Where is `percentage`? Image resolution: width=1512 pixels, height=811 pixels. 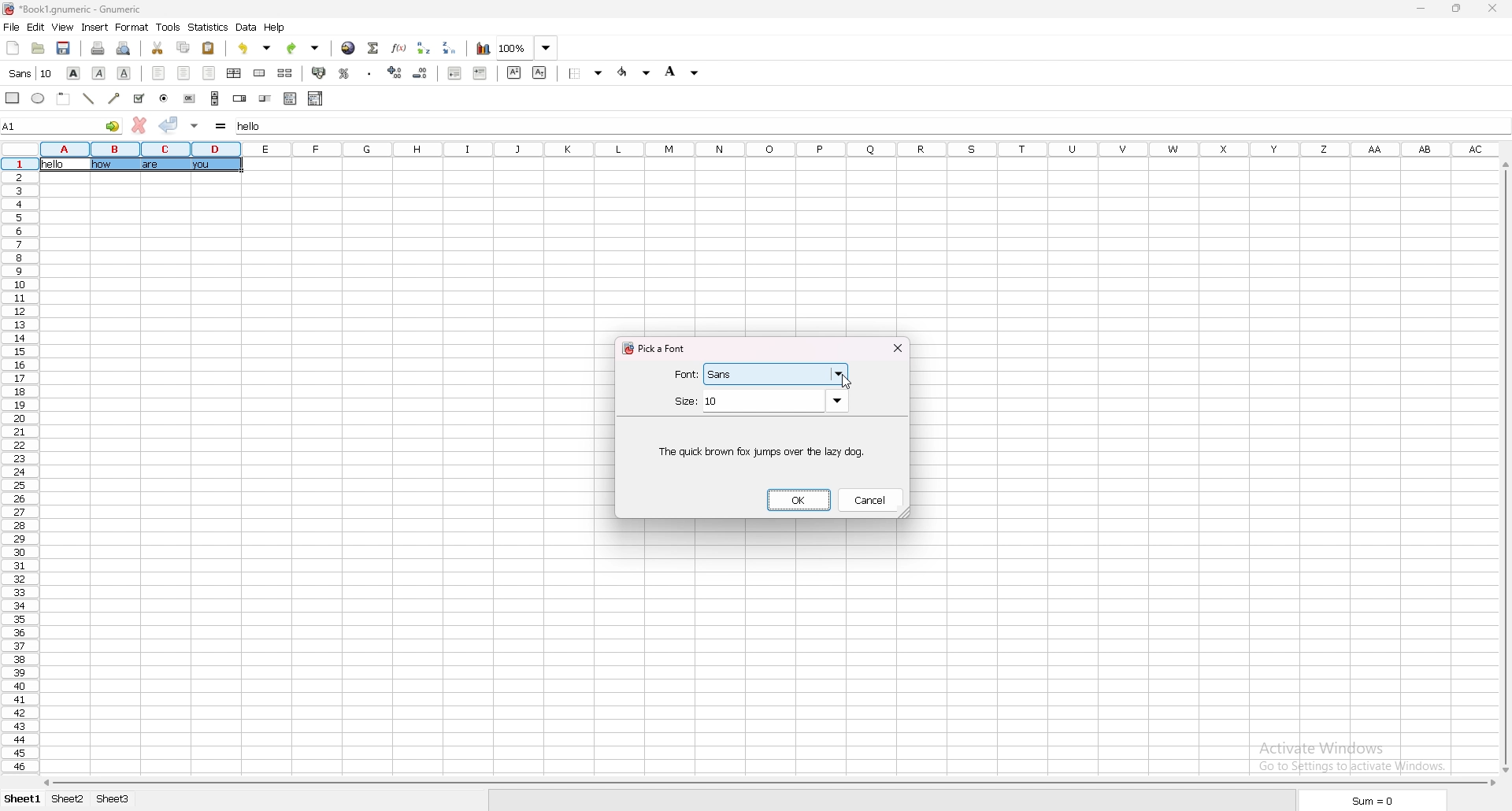
percentage is located at coordinates (346, 72).